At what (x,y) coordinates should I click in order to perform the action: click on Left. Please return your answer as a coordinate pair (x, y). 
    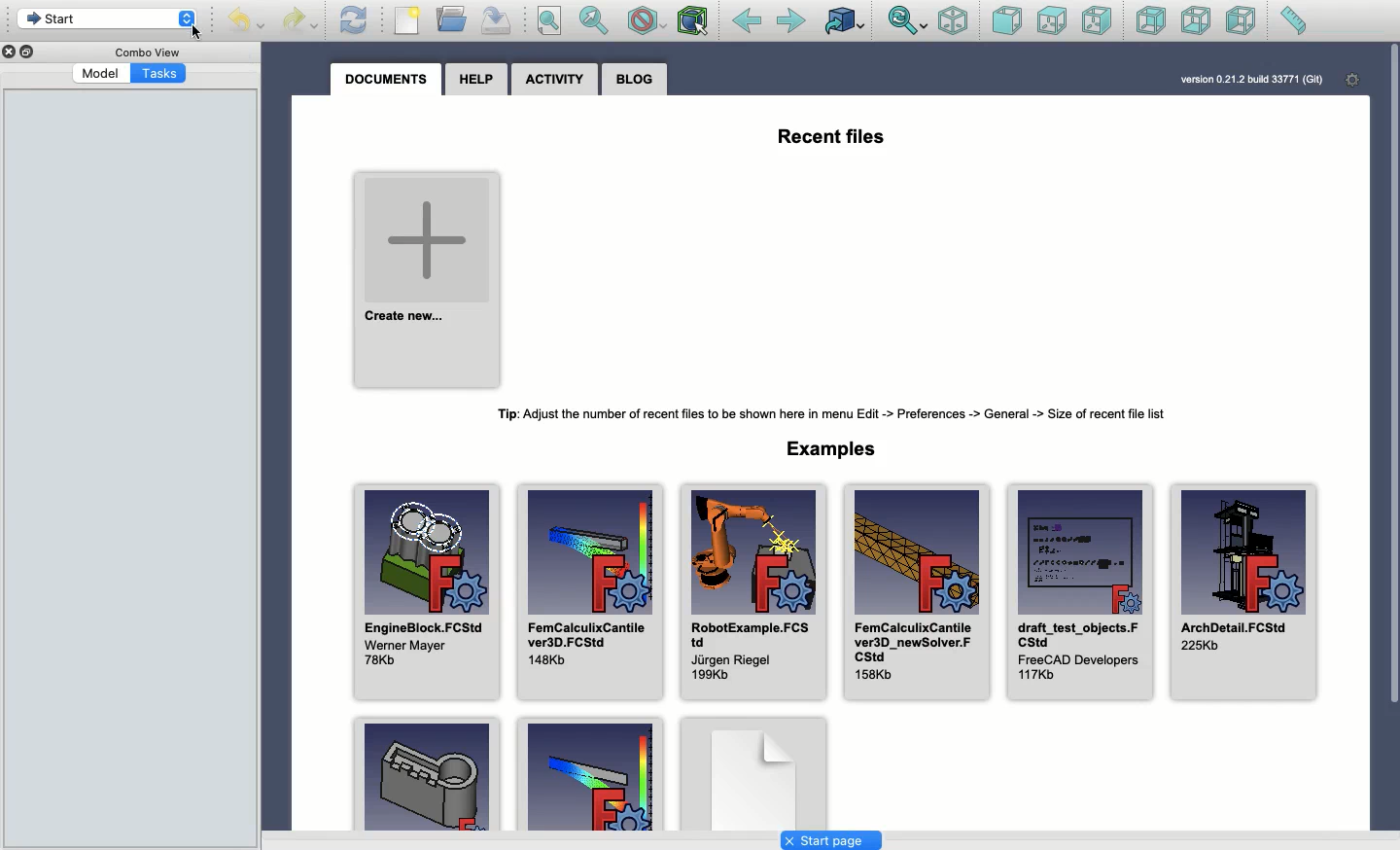
    Looking at the image, I should click on (1240, 21).